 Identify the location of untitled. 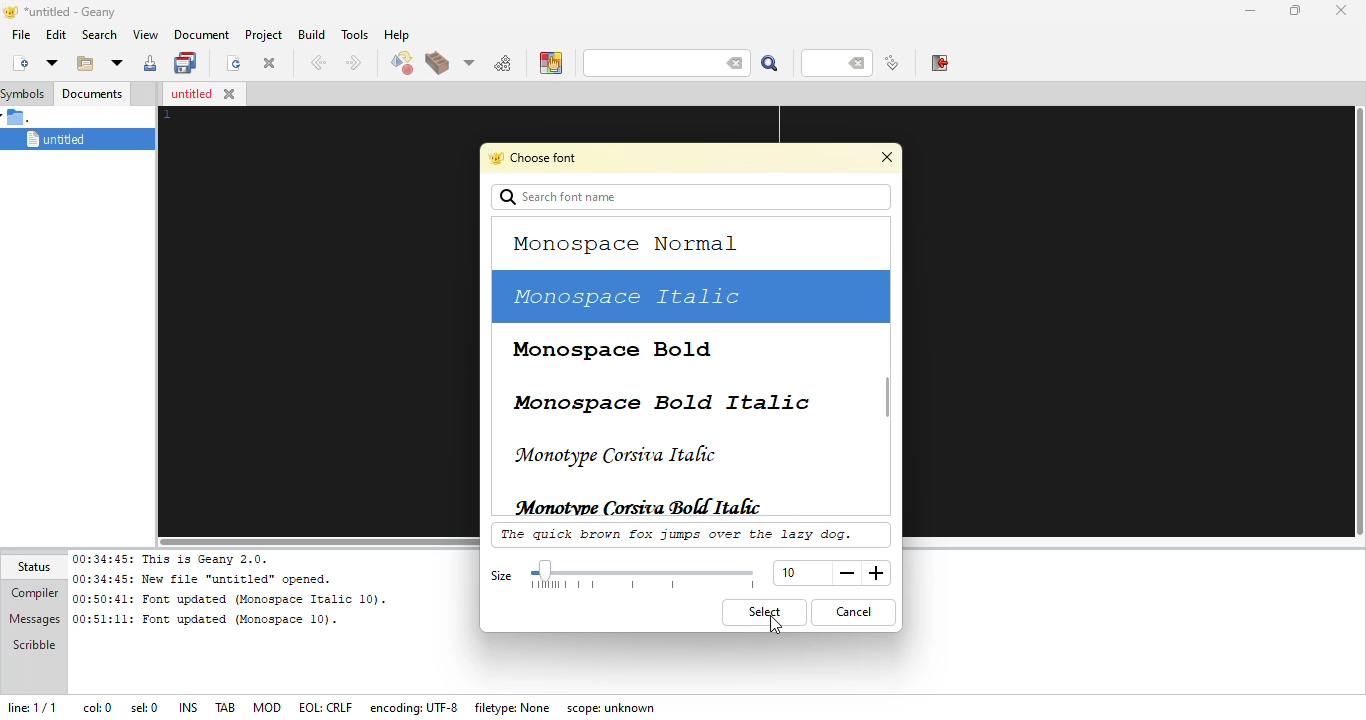
(73, 140).